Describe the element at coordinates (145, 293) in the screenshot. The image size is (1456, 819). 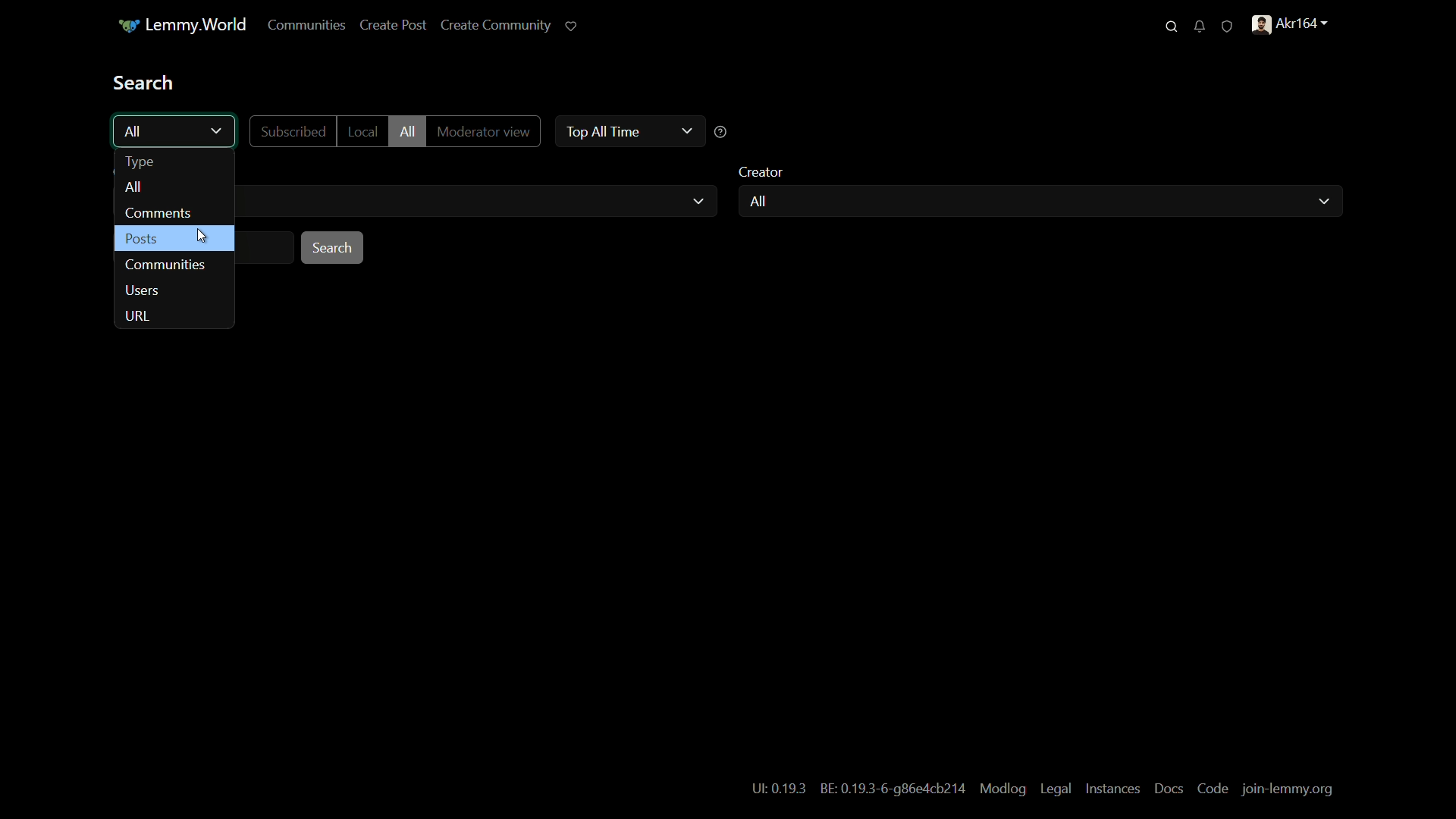
I see `users` at that location.